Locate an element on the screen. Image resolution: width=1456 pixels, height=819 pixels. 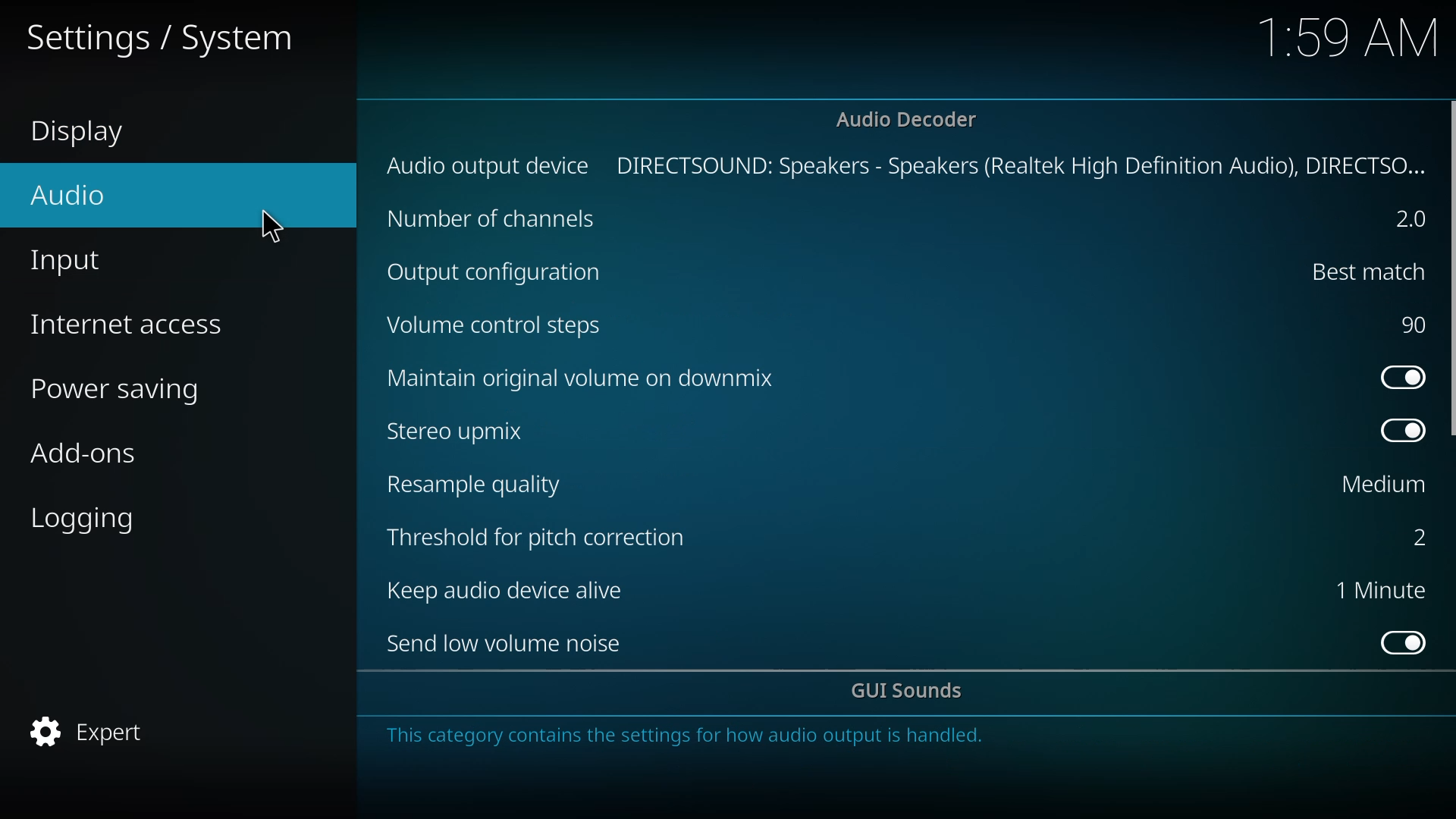
2 is located at coordinates (1414, 536).